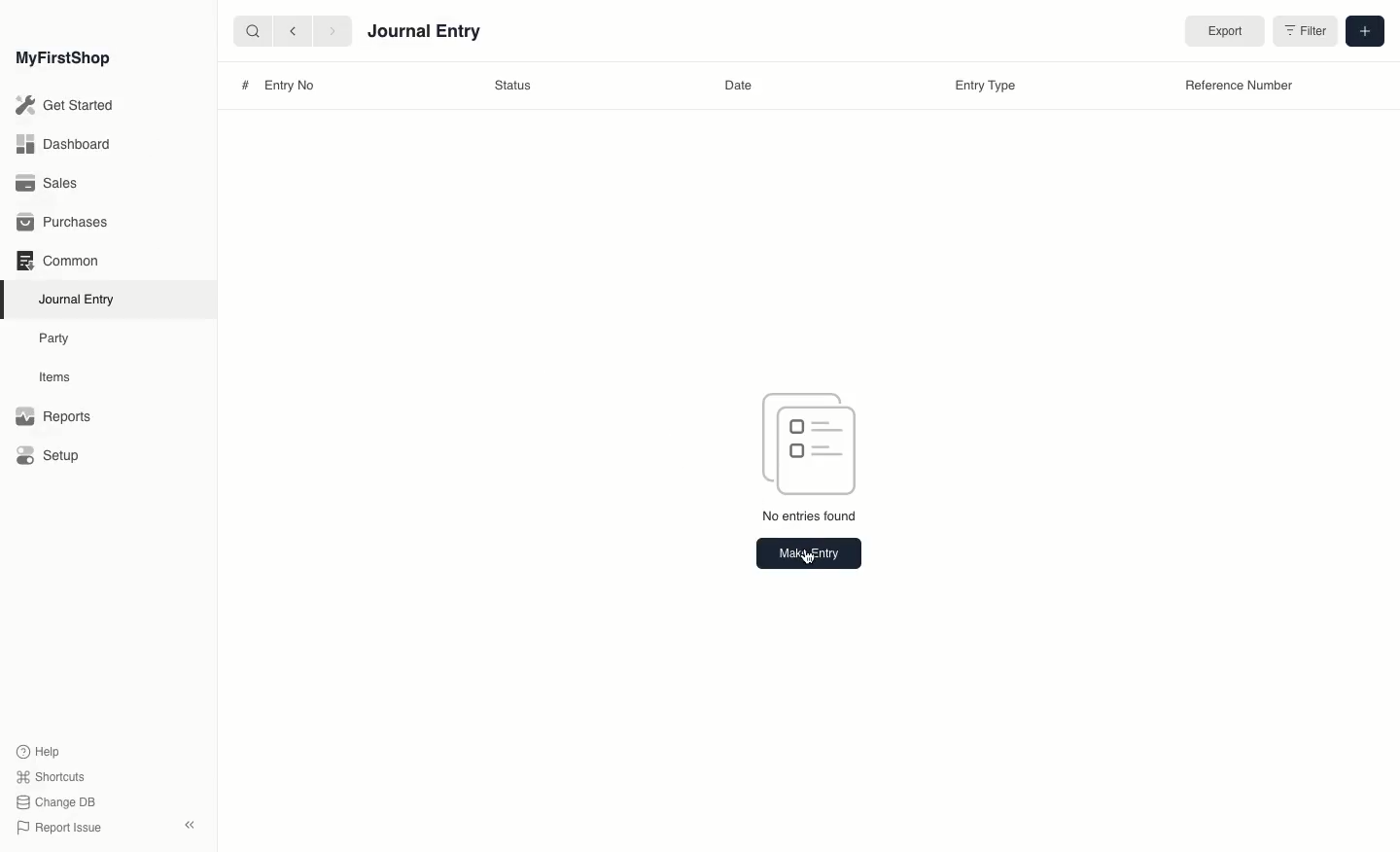 Image resolution: width=1400 pixels, height=852 pixels. I want to click on Status, so click(517, 86).